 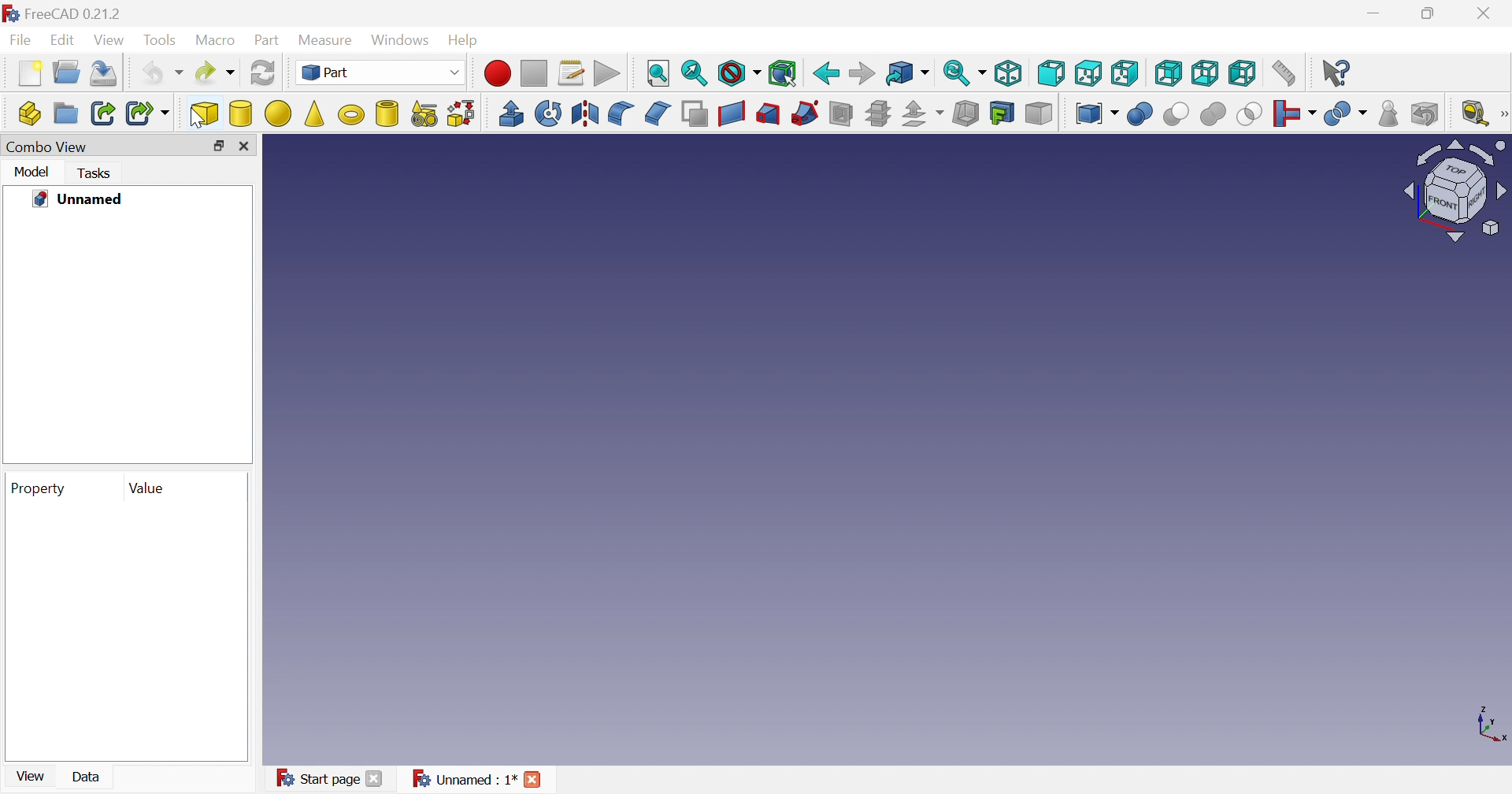 What do you see at coordinates (495, 74) in the screenshot?
I see `Macro recording` at bounding box center [495, 74].